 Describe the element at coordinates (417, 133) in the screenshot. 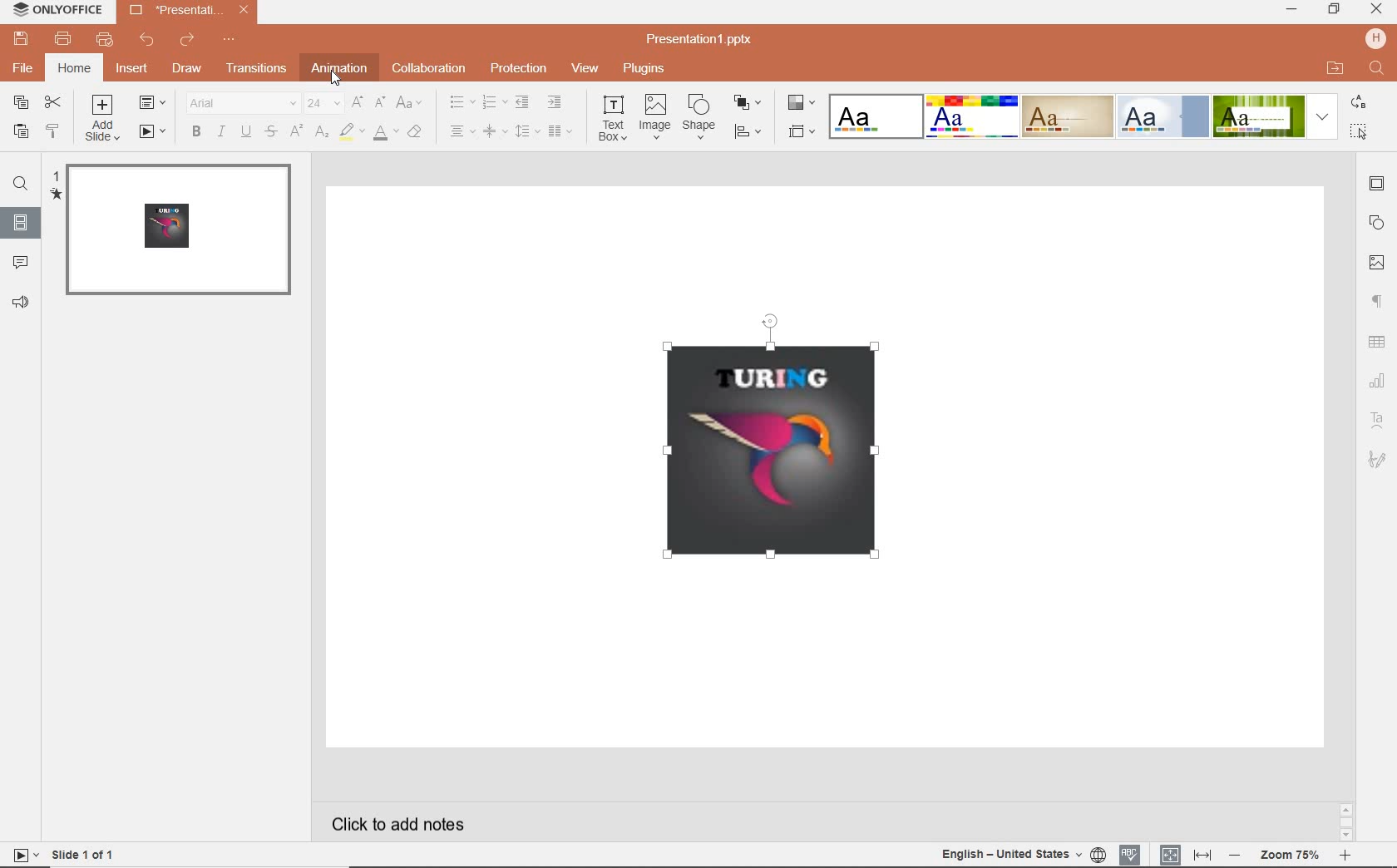

I see `clear style` at that location.